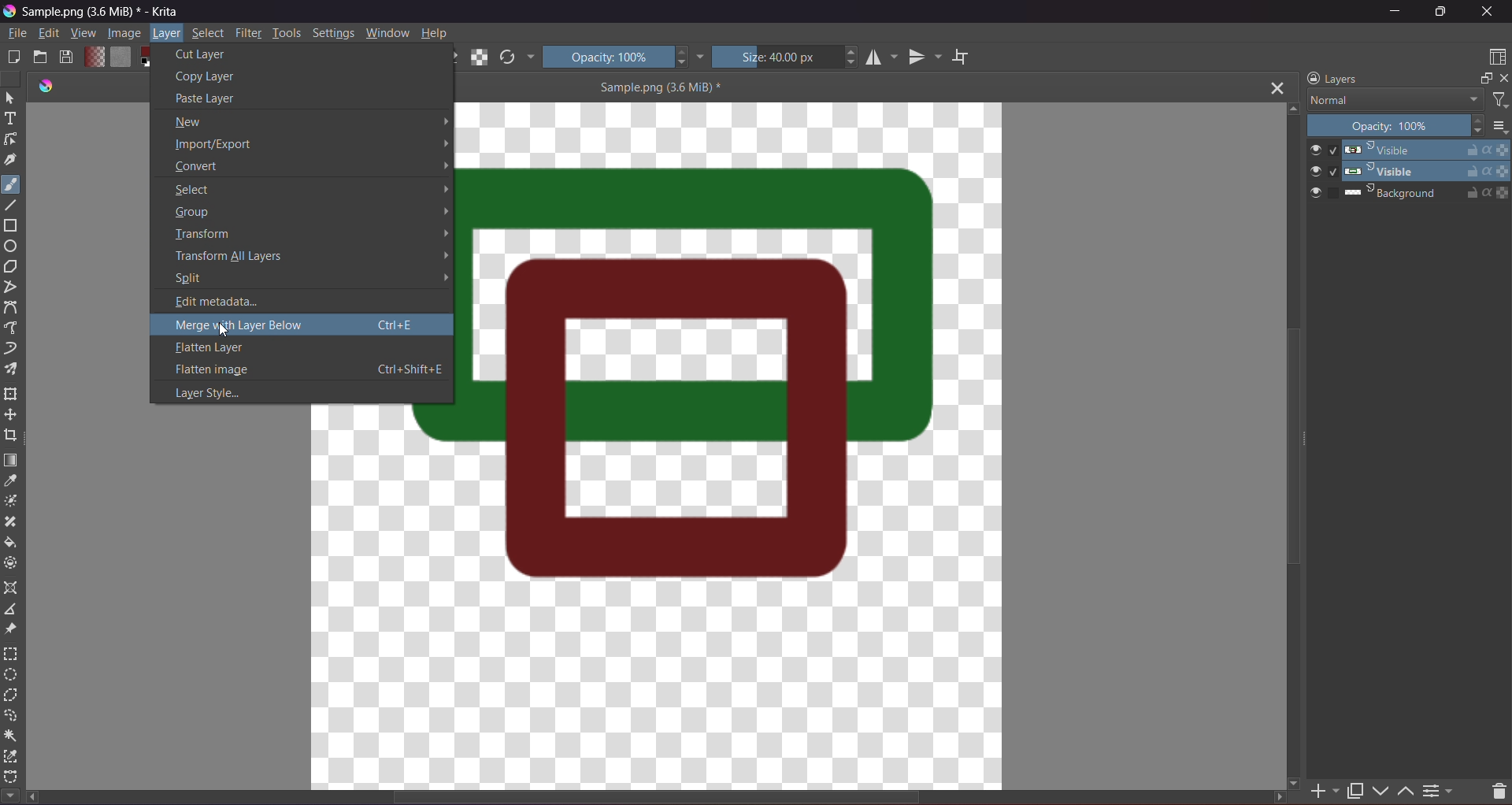 The image size is (1512, 805). I want to click on Text, so click(11, 121).